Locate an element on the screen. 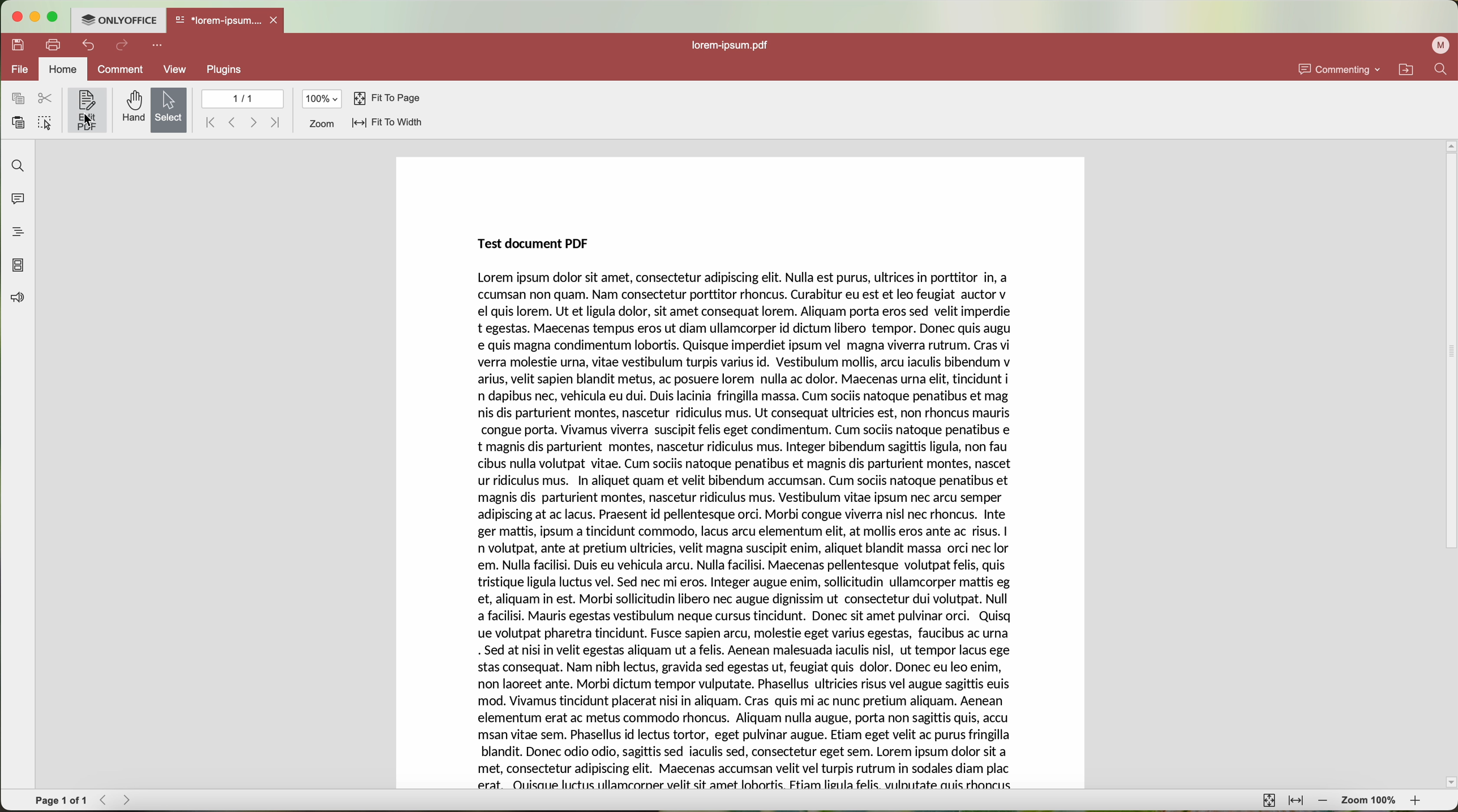 This screenshot has width=1458, height=812. zoom 100% is located at coordinates (1370, 801).